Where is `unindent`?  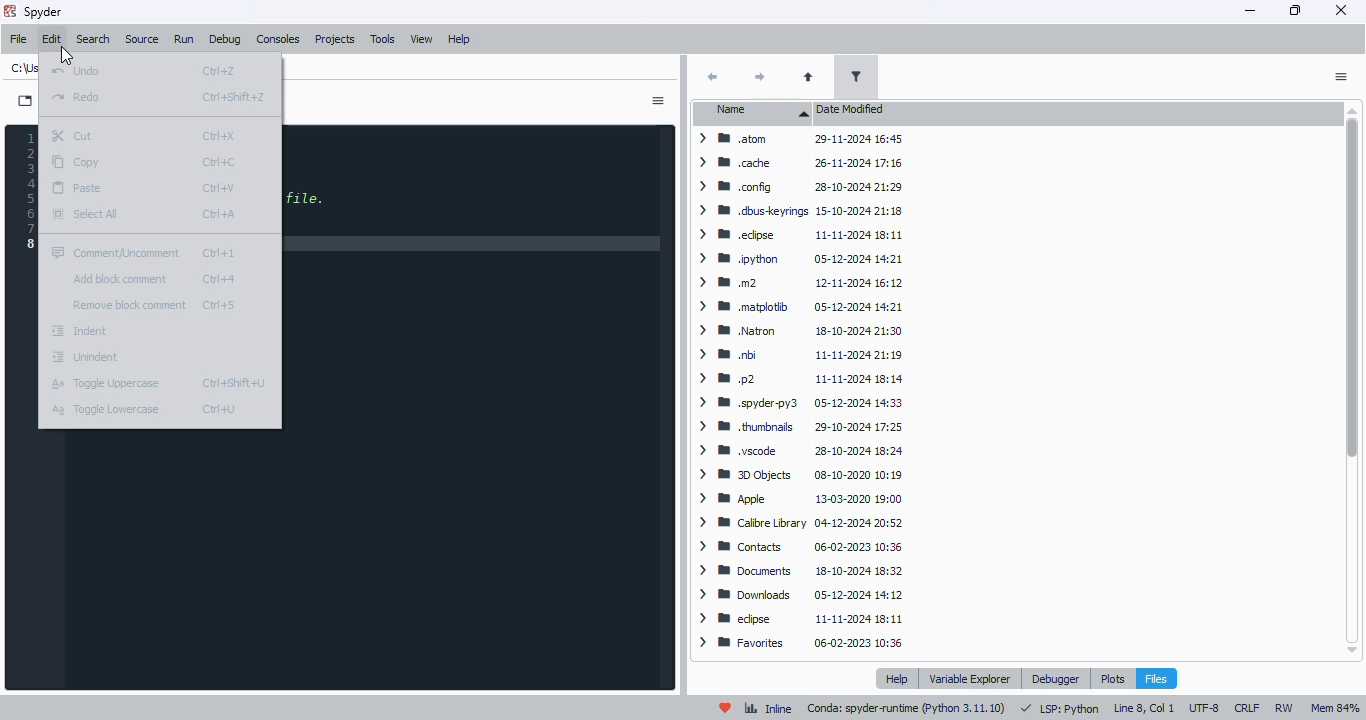 unindent is located at coordinates (85, 356).